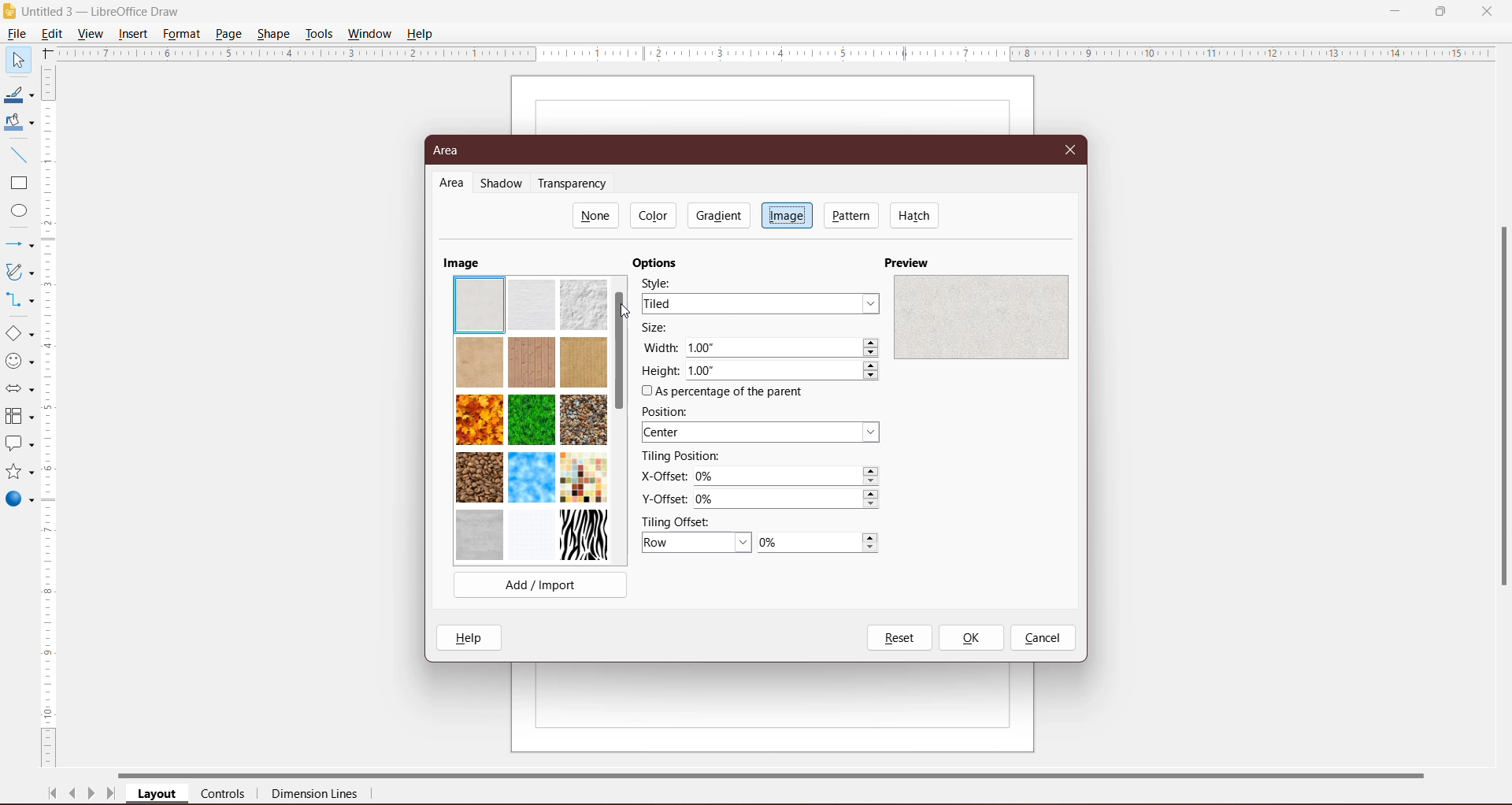  Describe the element at coordinates (660, 328) in the screenshot. I see `Size` at that location.